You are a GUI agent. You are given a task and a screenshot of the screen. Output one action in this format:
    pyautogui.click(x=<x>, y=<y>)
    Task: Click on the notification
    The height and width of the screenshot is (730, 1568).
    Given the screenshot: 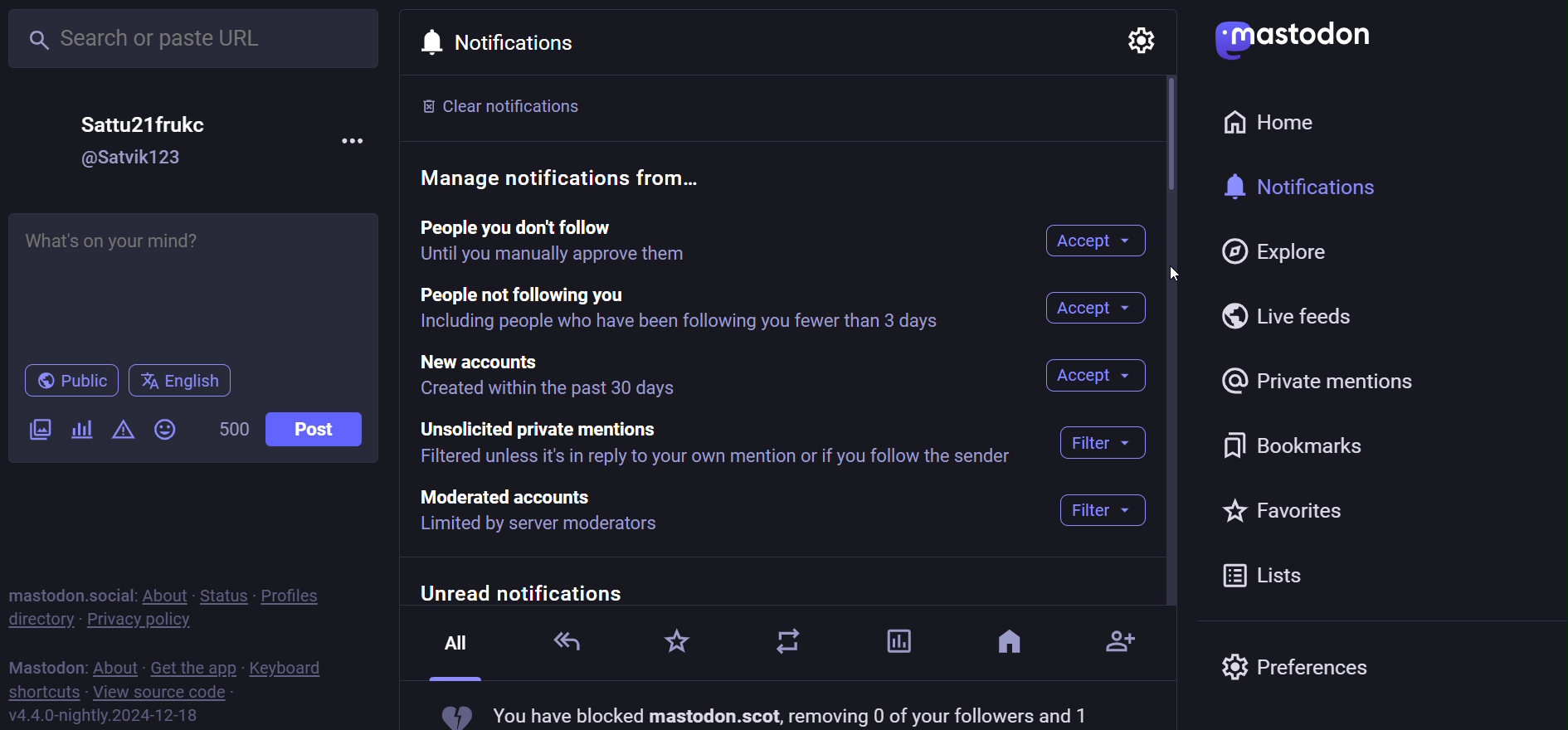 What is the action you would take?
    pyautogui.click(x=1313, y=187)
    